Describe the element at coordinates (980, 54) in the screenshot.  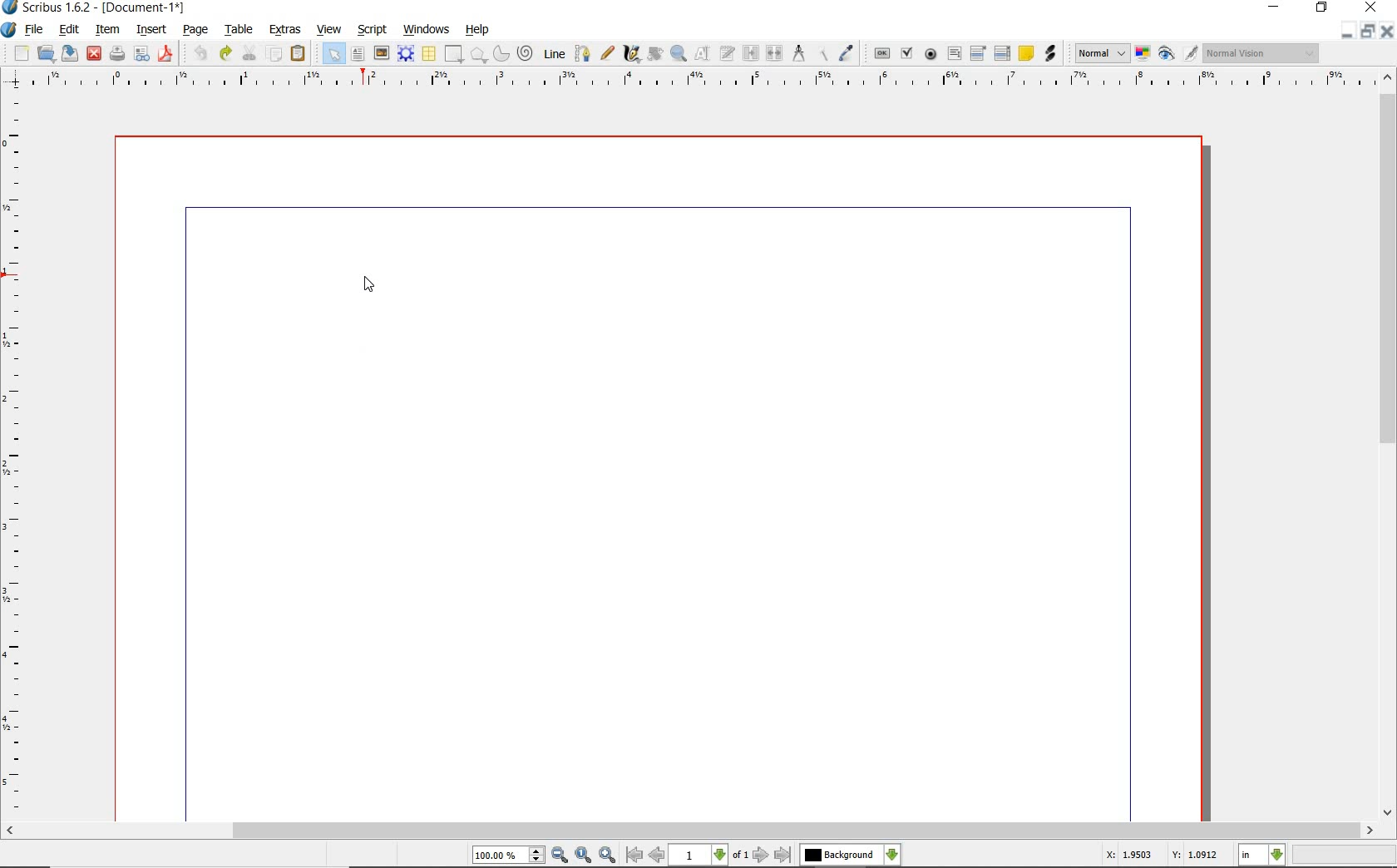
I see `pdf combo box` at that location.